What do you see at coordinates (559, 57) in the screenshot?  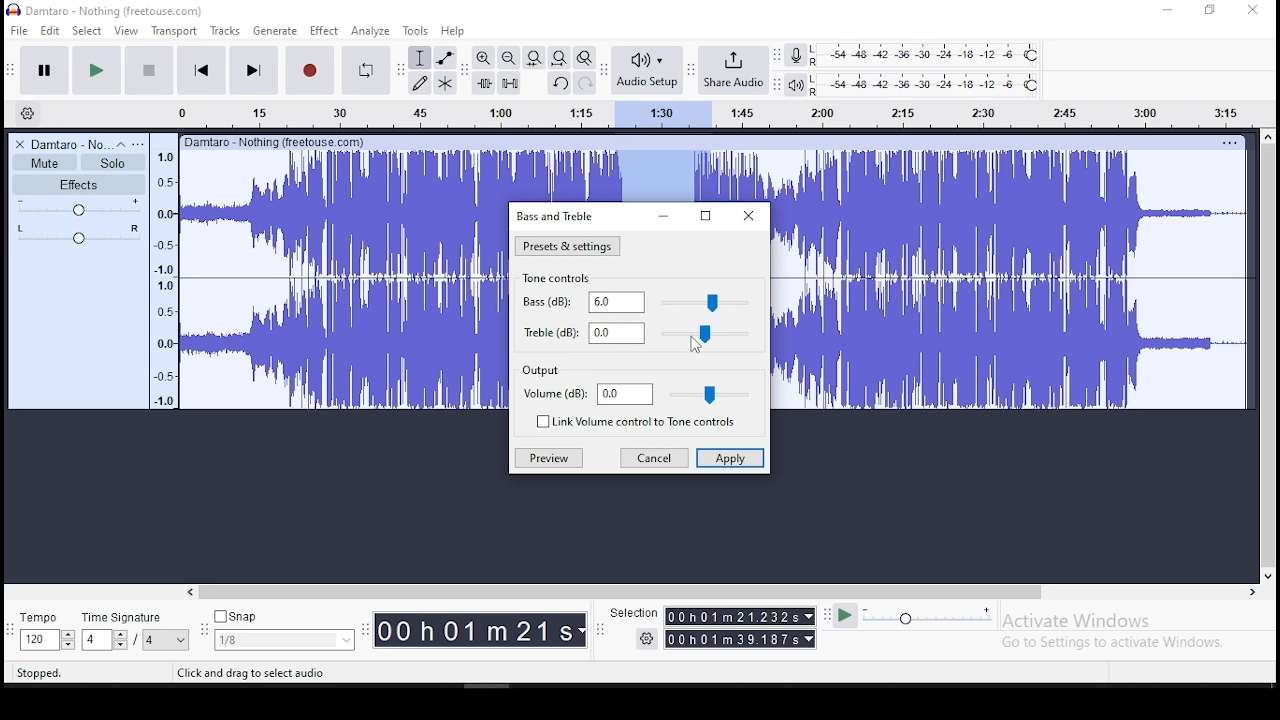 I see `fit project to width` at bounding box center [559, 57].